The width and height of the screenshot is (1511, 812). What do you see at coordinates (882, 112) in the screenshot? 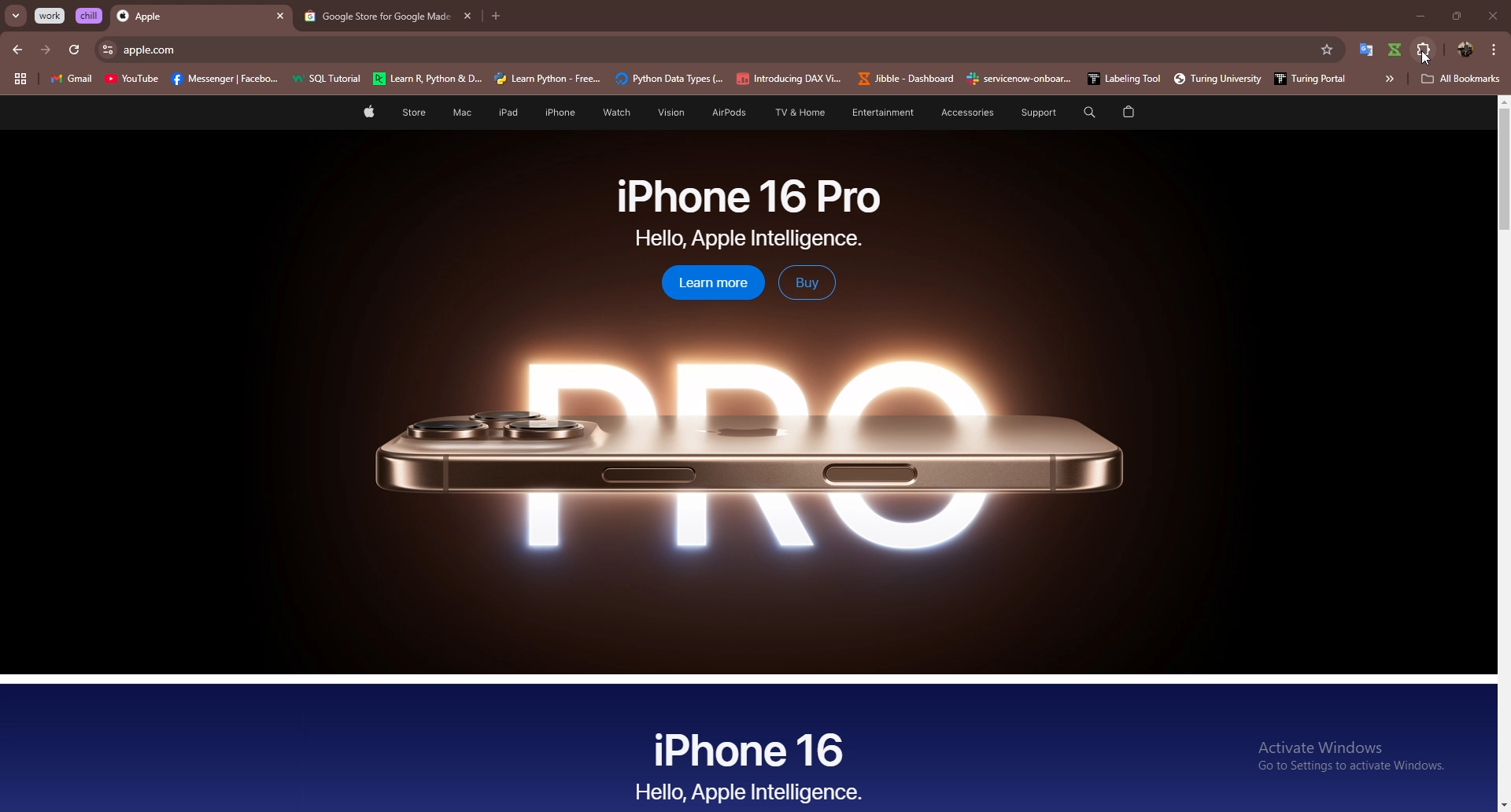
I see `Entertainment` at bounding box center [882, 112].